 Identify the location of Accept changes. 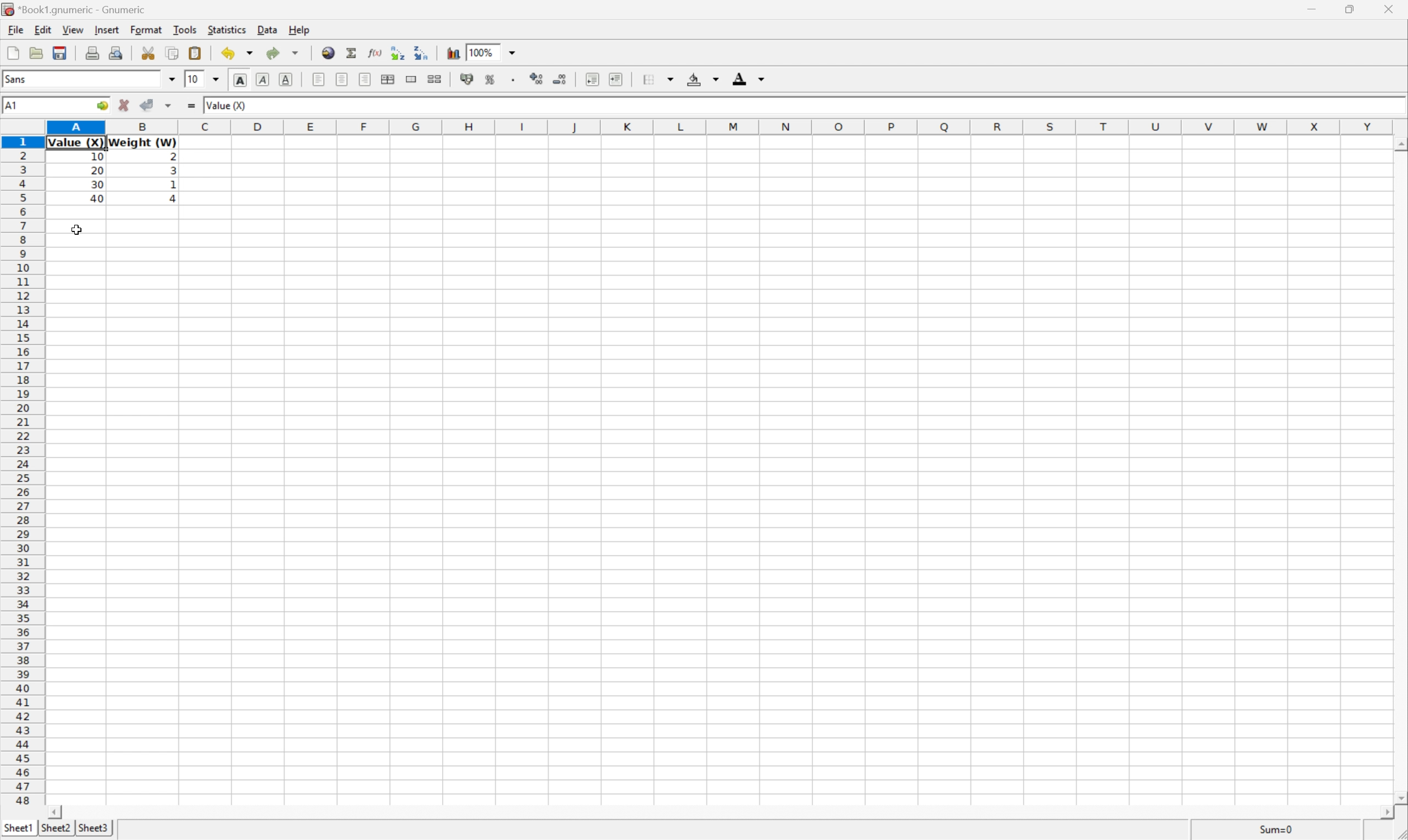
(146, 105).